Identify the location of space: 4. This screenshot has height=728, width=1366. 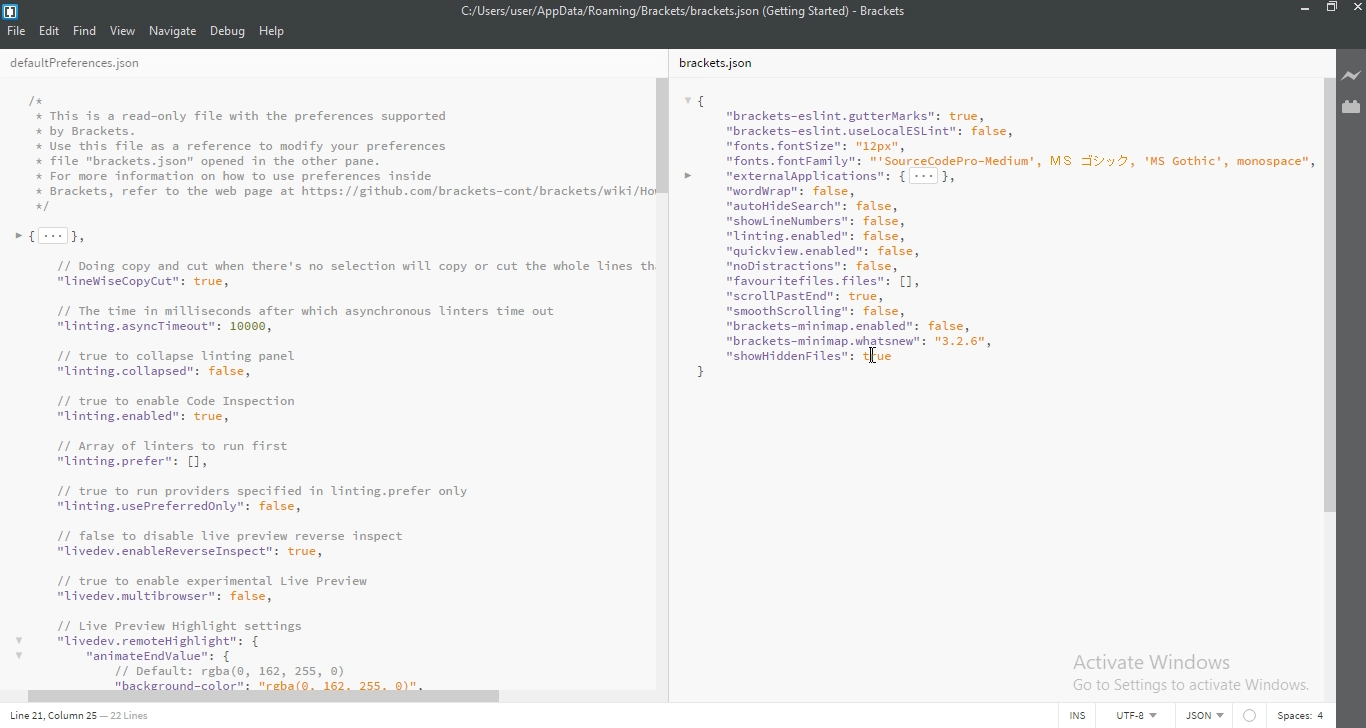
(1304, 716).